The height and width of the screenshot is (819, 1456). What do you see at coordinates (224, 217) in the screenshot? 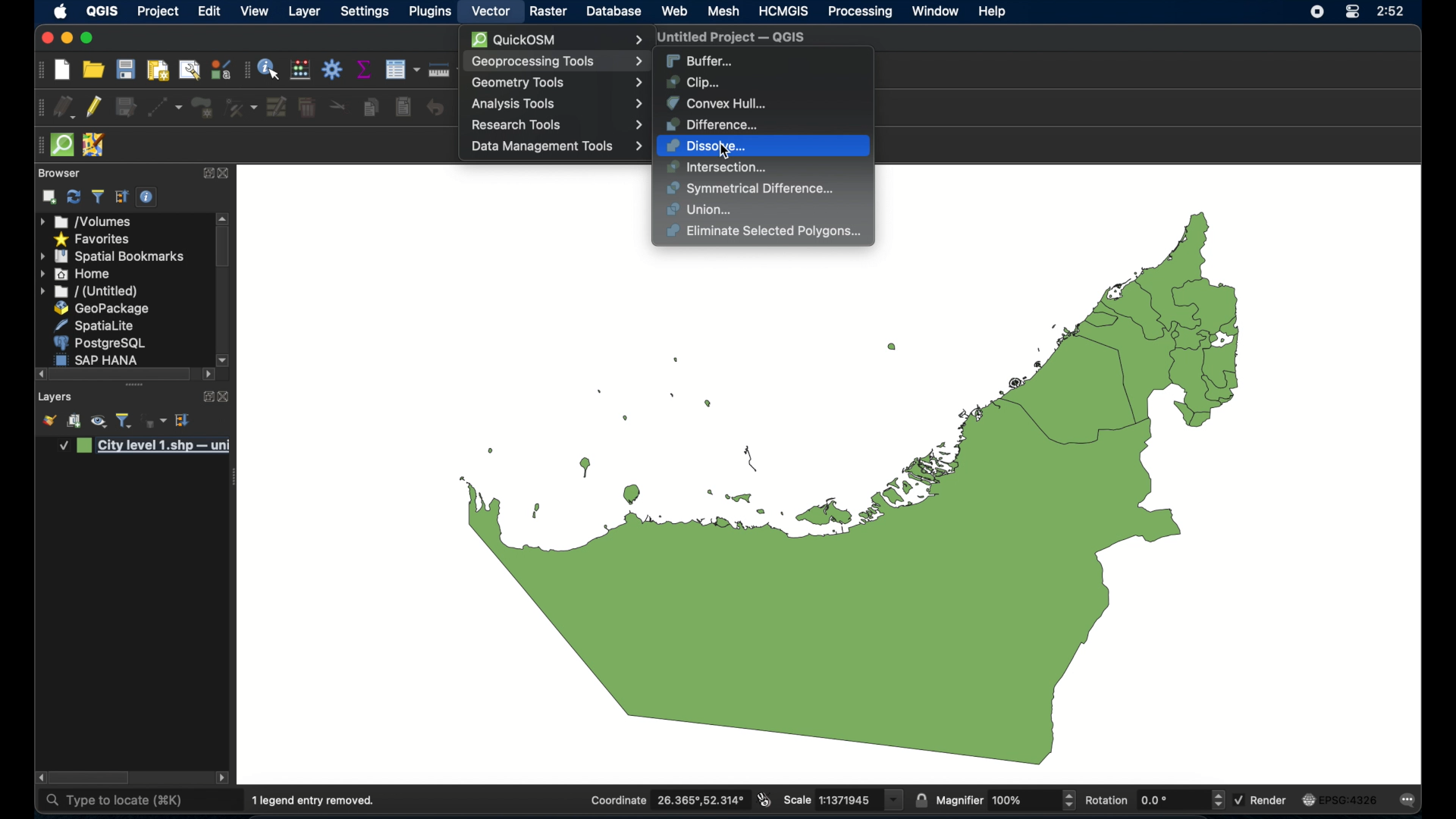
I see `scroll up arrow` at bounding box center [224, 217].